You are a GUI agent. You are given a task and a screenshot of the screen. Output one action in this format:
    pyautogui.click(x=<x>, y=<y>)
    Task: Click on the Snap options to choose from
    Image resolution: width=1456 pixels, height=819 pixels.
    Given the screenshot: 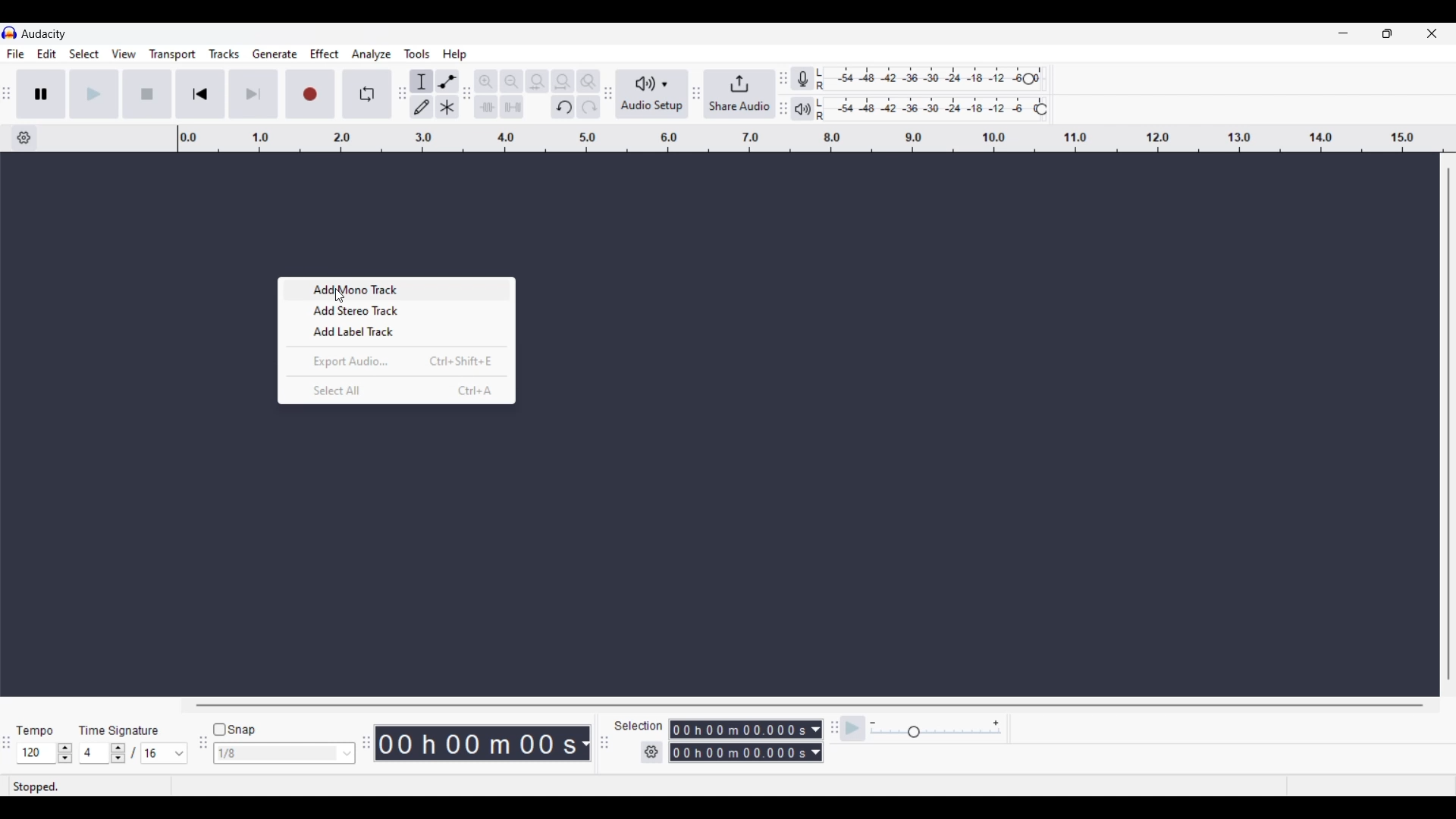 What is the action you would take?
    pyautogui.click(x=348, y=754)
    